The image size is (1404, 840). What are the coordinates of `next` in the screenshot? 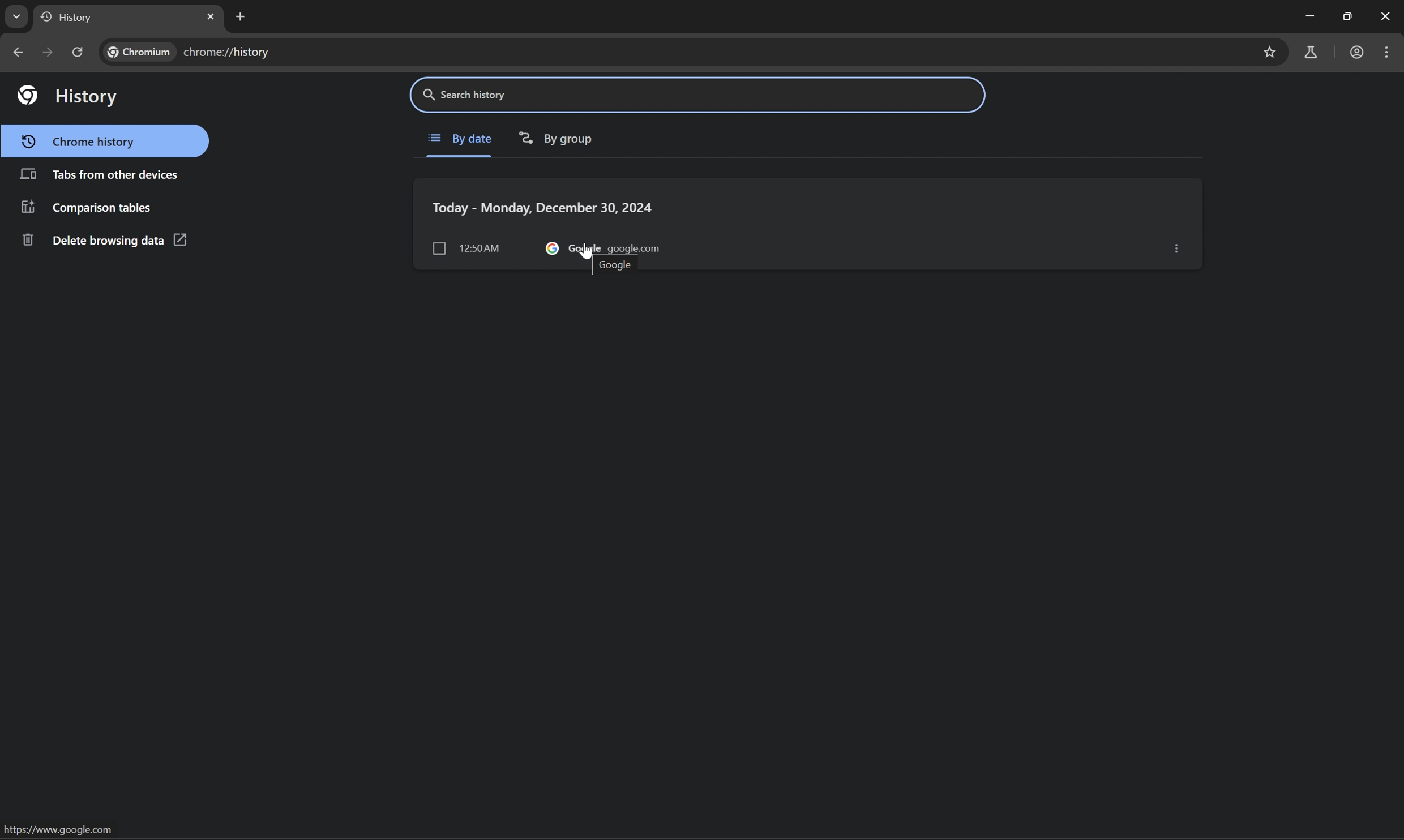 It's located at (48, 52).